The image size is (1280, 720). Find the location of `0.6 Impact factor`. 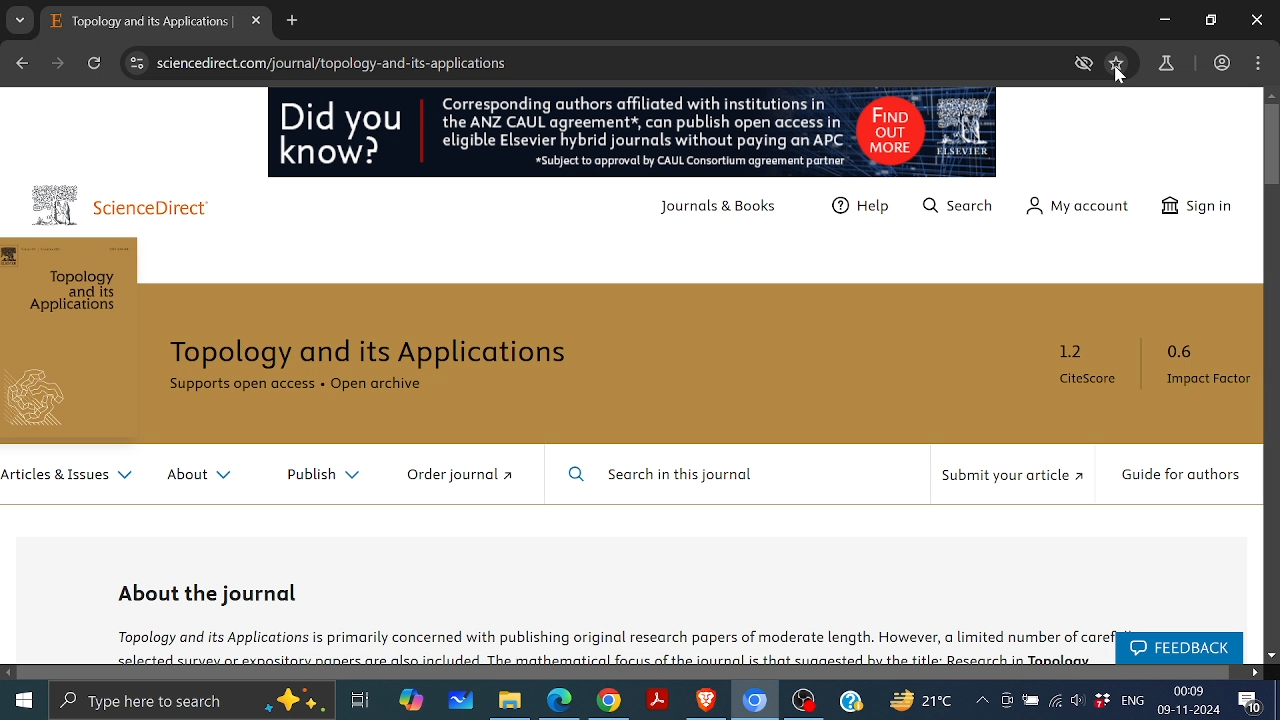

0.6 Impact factor is located at coordinates (1203, 368).